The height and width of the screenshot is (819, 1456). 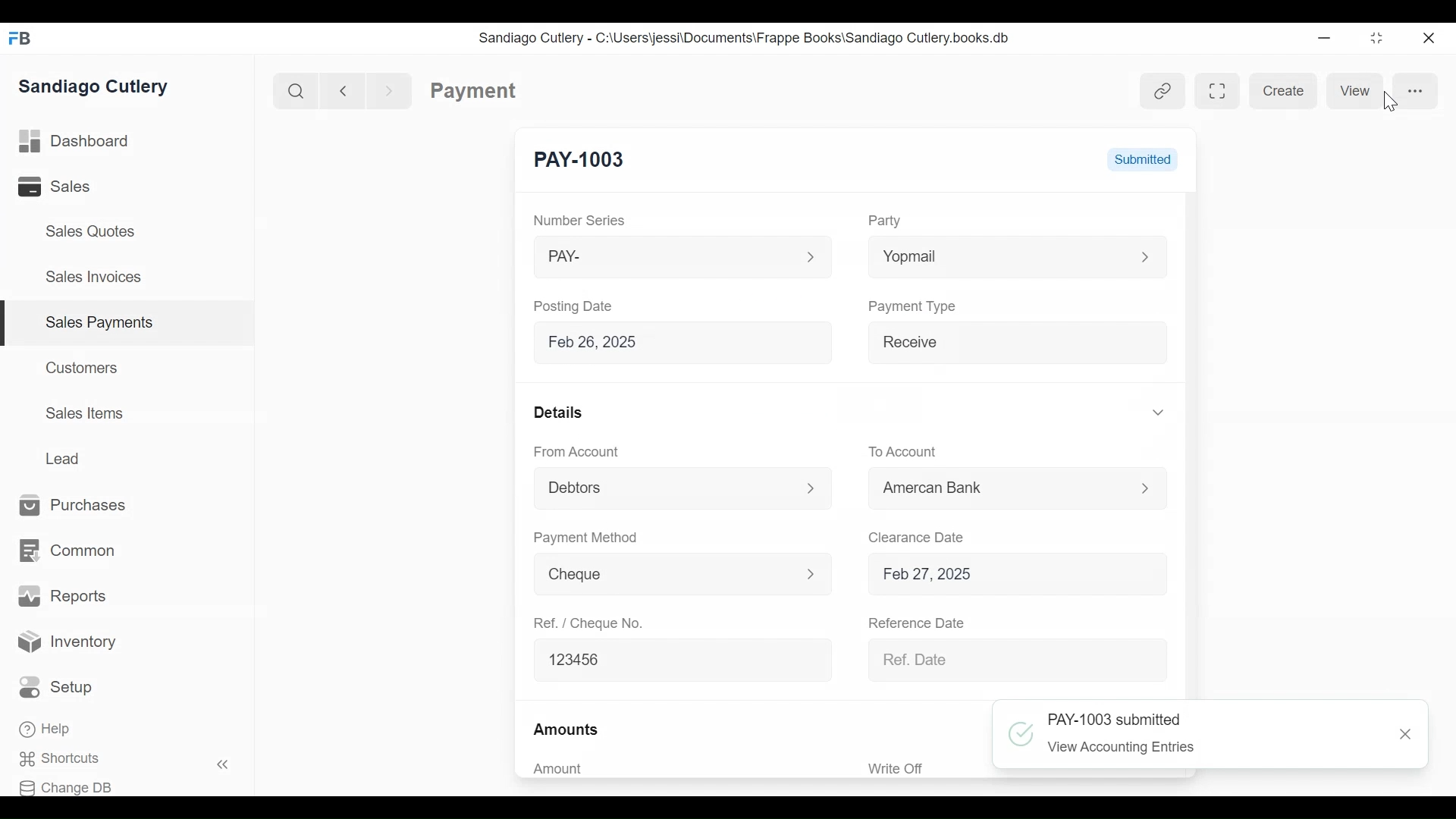 I want to click on Details, so click(x=559, y=413).